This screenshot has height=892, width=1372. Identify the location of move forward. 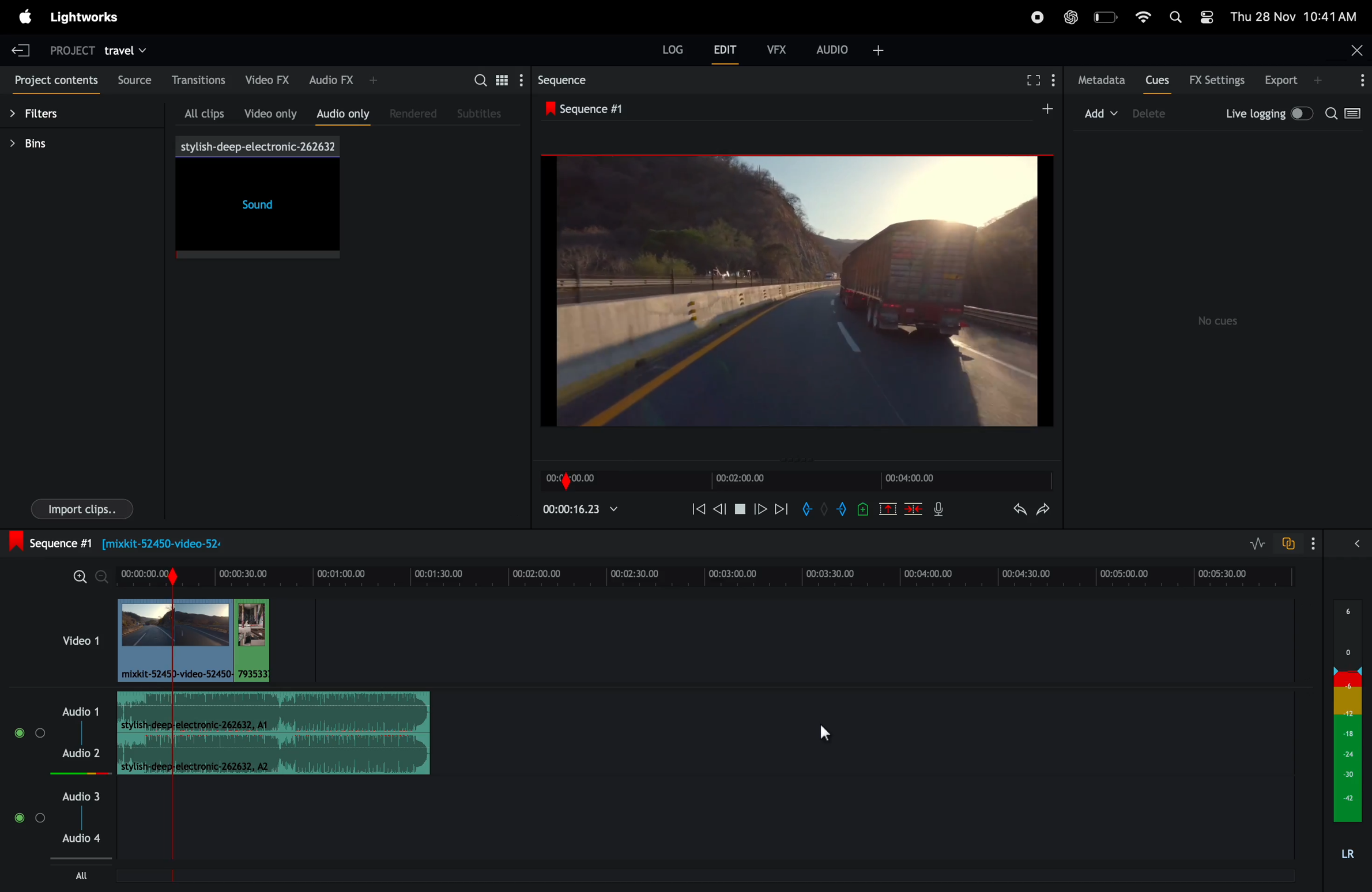
(782, 508).